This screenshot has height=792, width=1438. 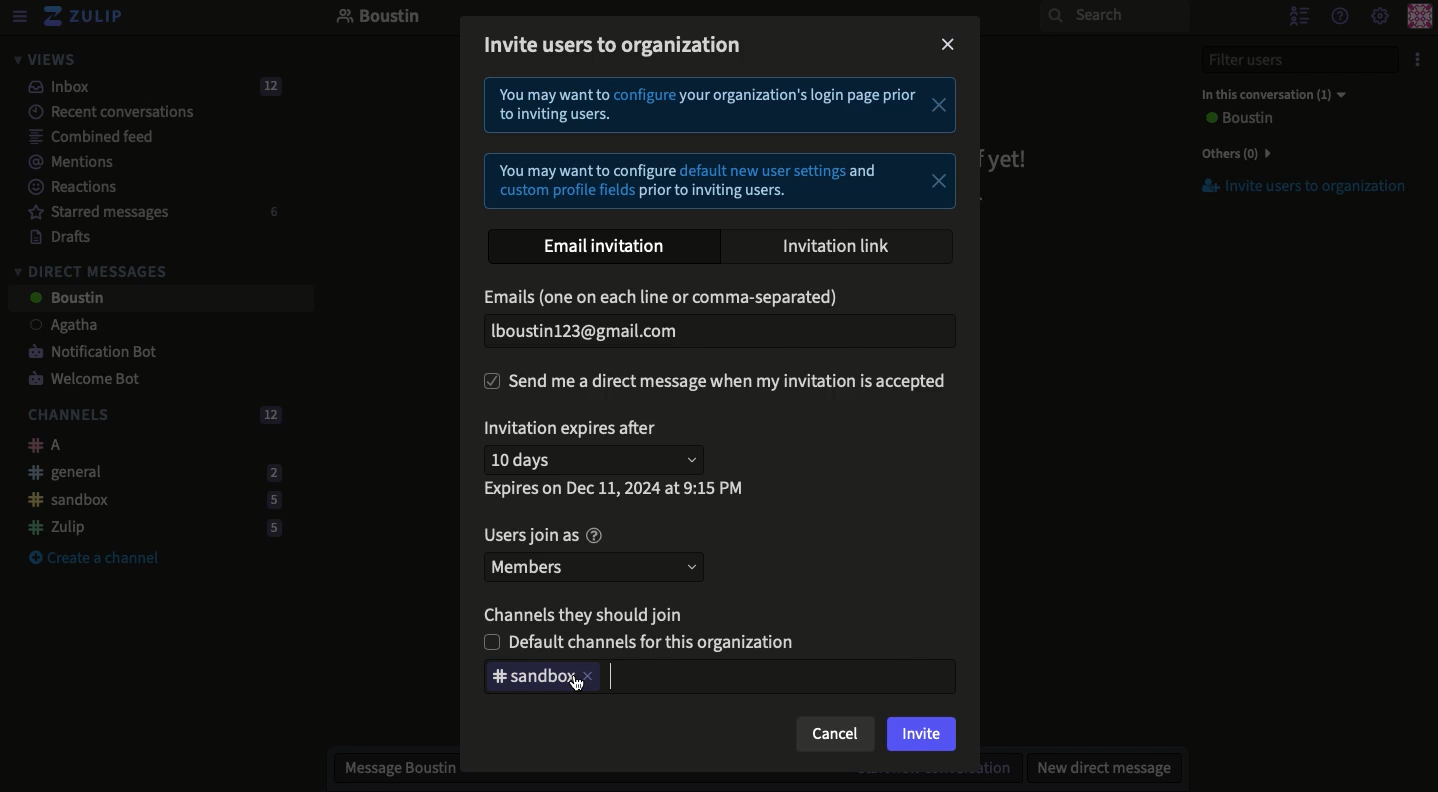 What do you see at coordinates (87, 380) in the screenshot?
I see `Welcome bot` at bounding box center [87, 380].